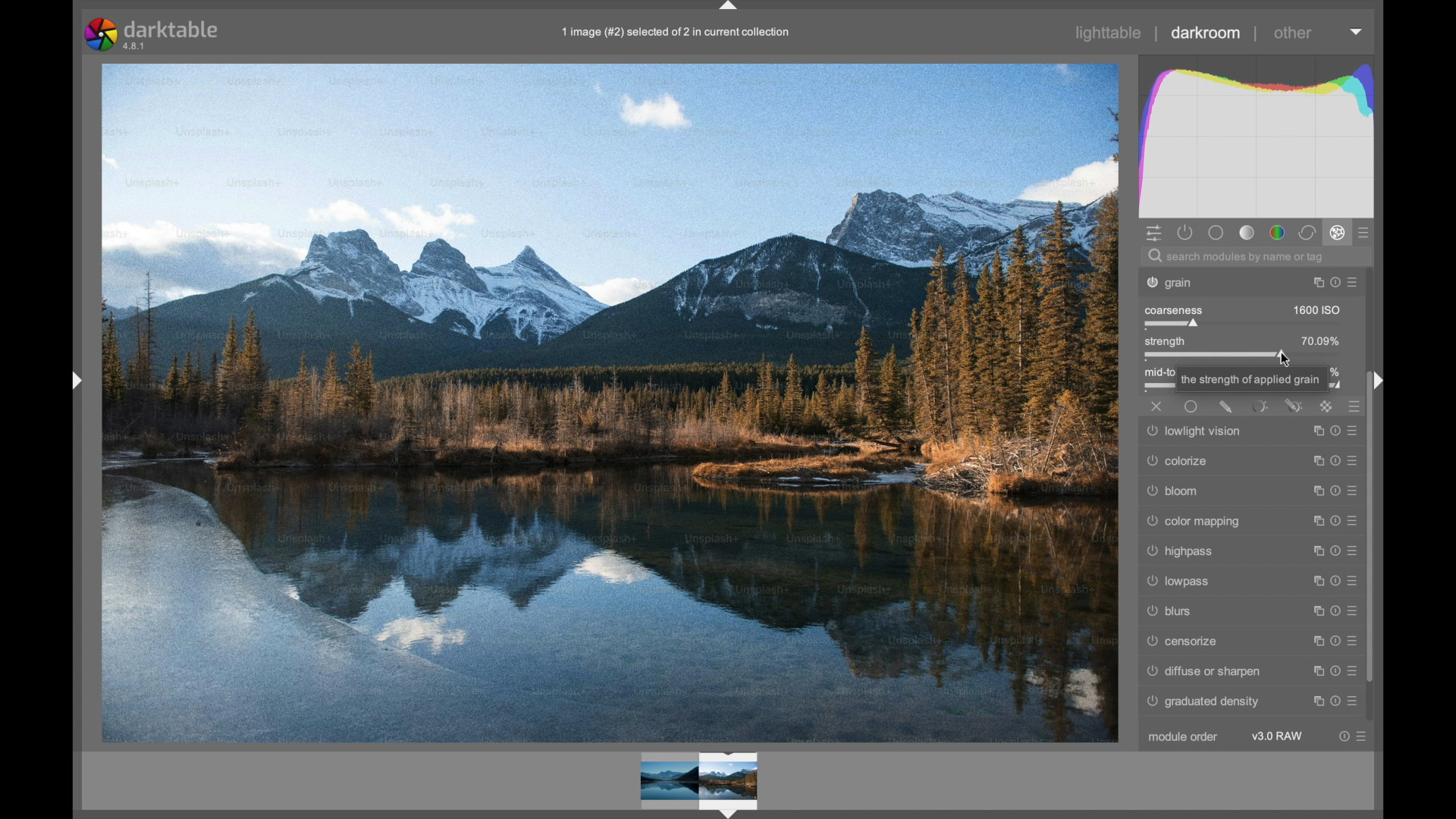  What do you see at coordinates (1277, 233) in the screenshot?
I see `color` at bounding box center [1277, 233].